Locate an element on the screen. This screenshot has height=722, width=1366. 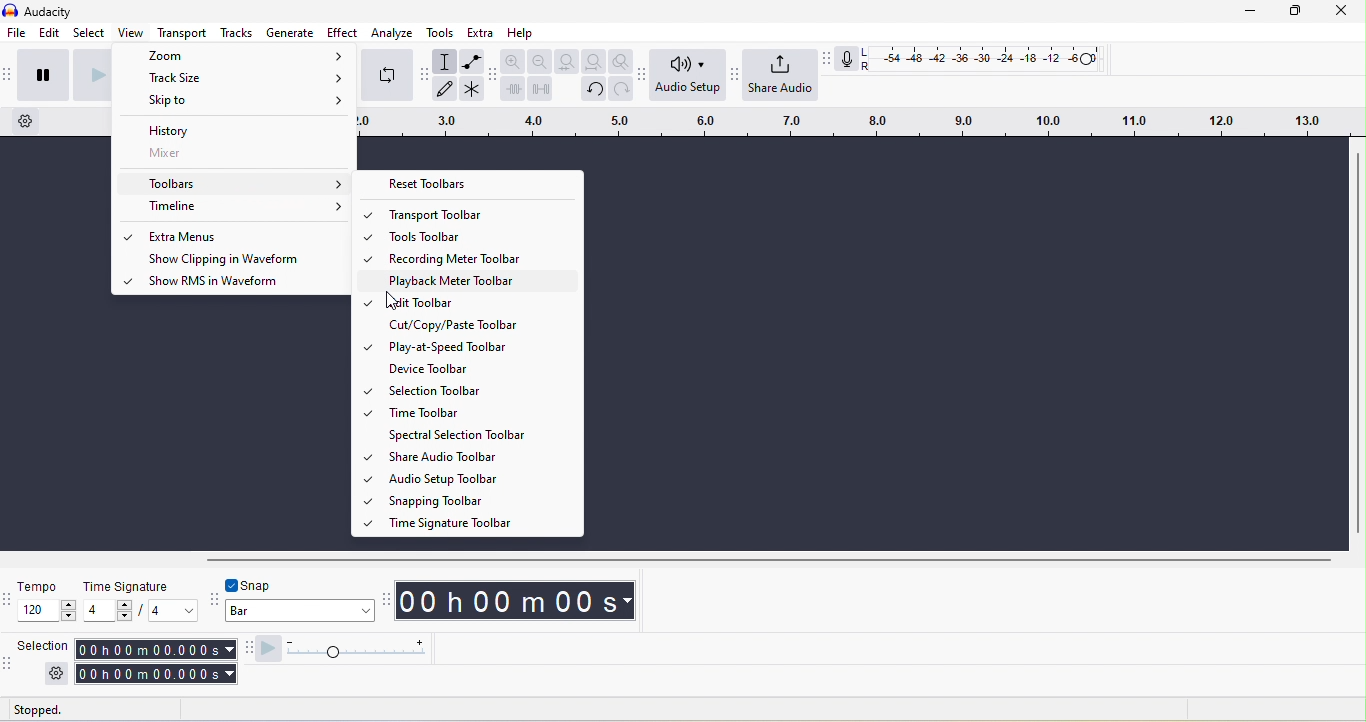
share audio toolbar is located at coordinates (733, 73).